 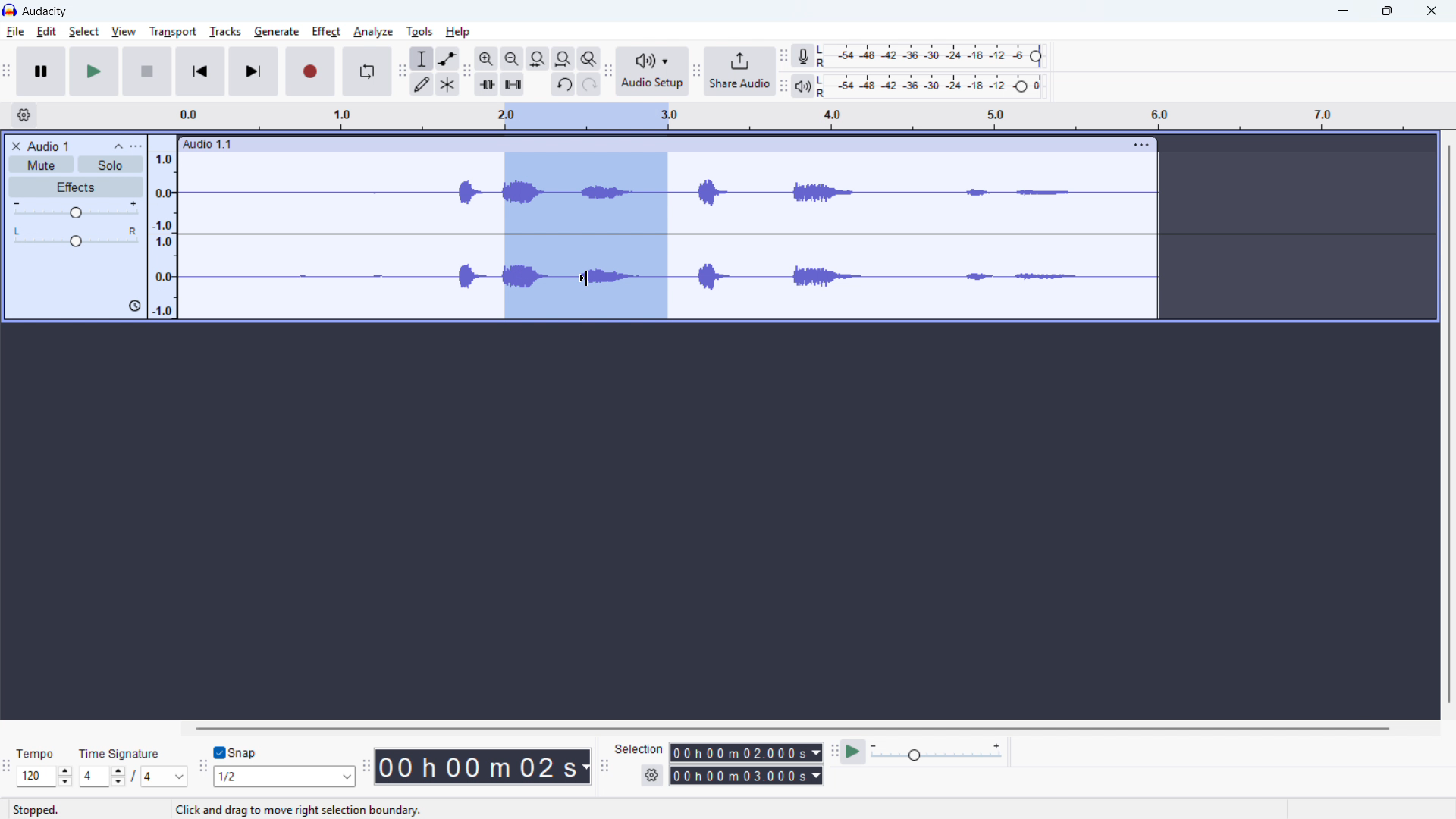 I want to click on pan: centre, so click(x=76, y=237).